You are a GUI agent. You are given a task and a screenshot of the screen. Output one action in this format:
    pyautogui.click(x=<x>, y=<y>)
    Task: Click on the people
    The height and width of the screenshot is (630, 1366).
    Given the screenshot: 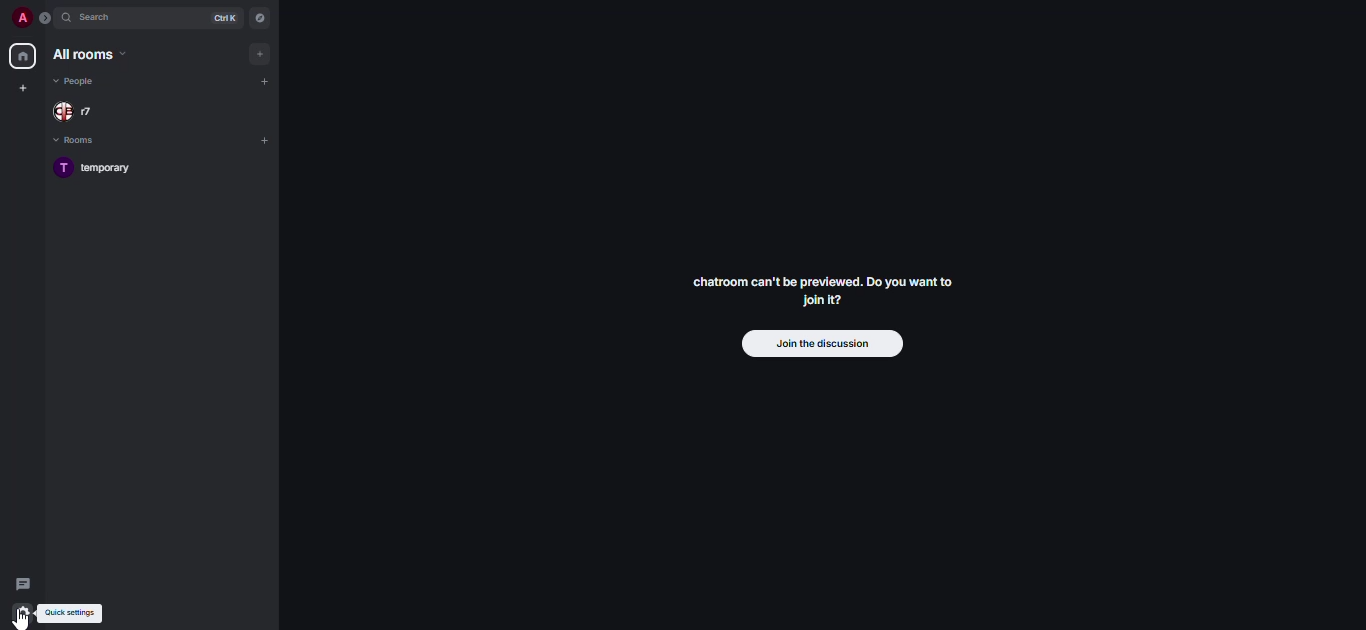 What is the action you would take?
    pyautogui.click(x=80, y=112)
    